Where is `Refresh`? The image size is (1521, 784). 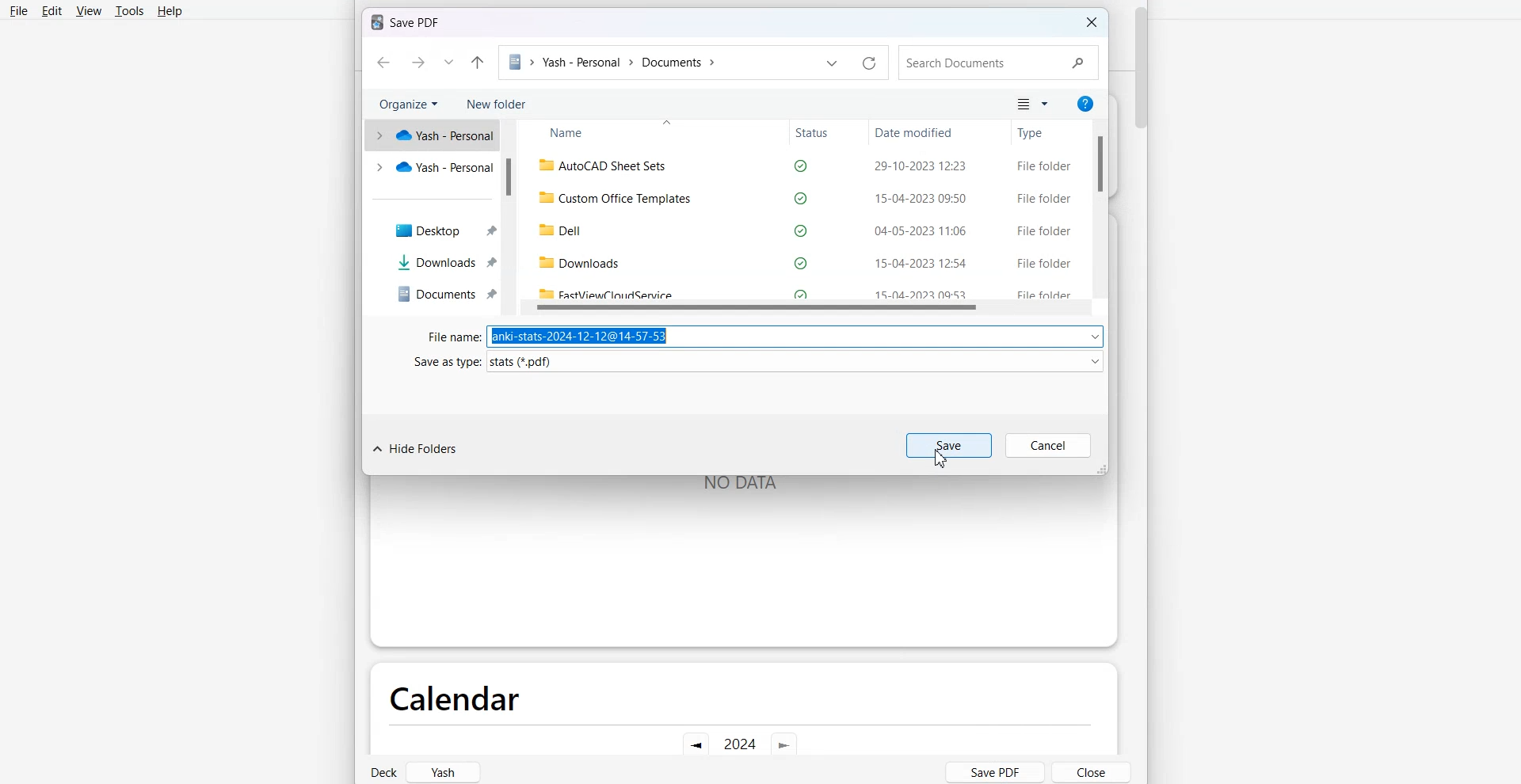 Refresh is located at coordinates (867, 62).